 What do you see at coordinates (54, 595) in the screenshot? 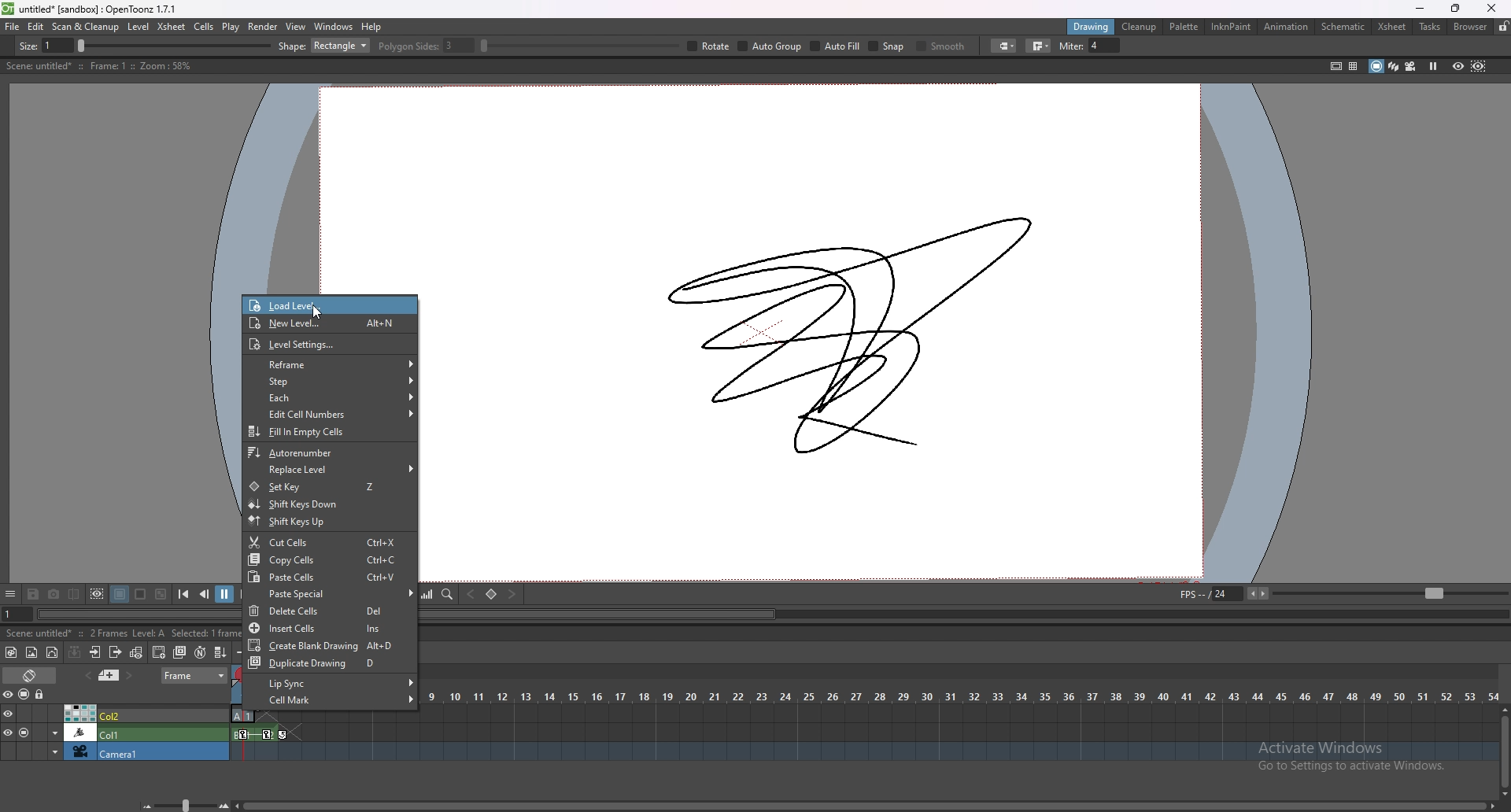
I see `snapshot` at bounding box center [54, 595].